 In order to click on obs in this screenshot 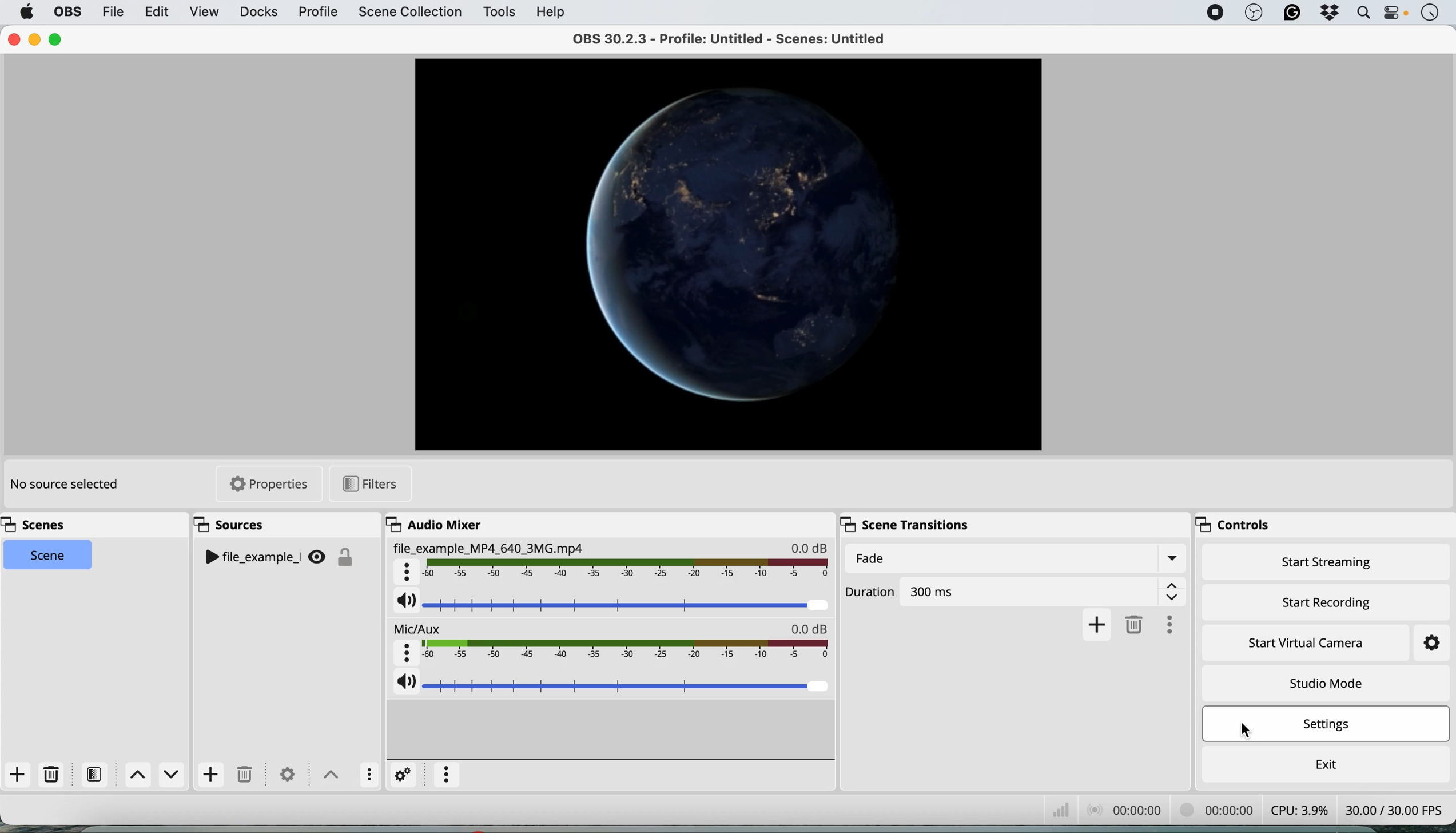, I will do `click(66, 12)`.